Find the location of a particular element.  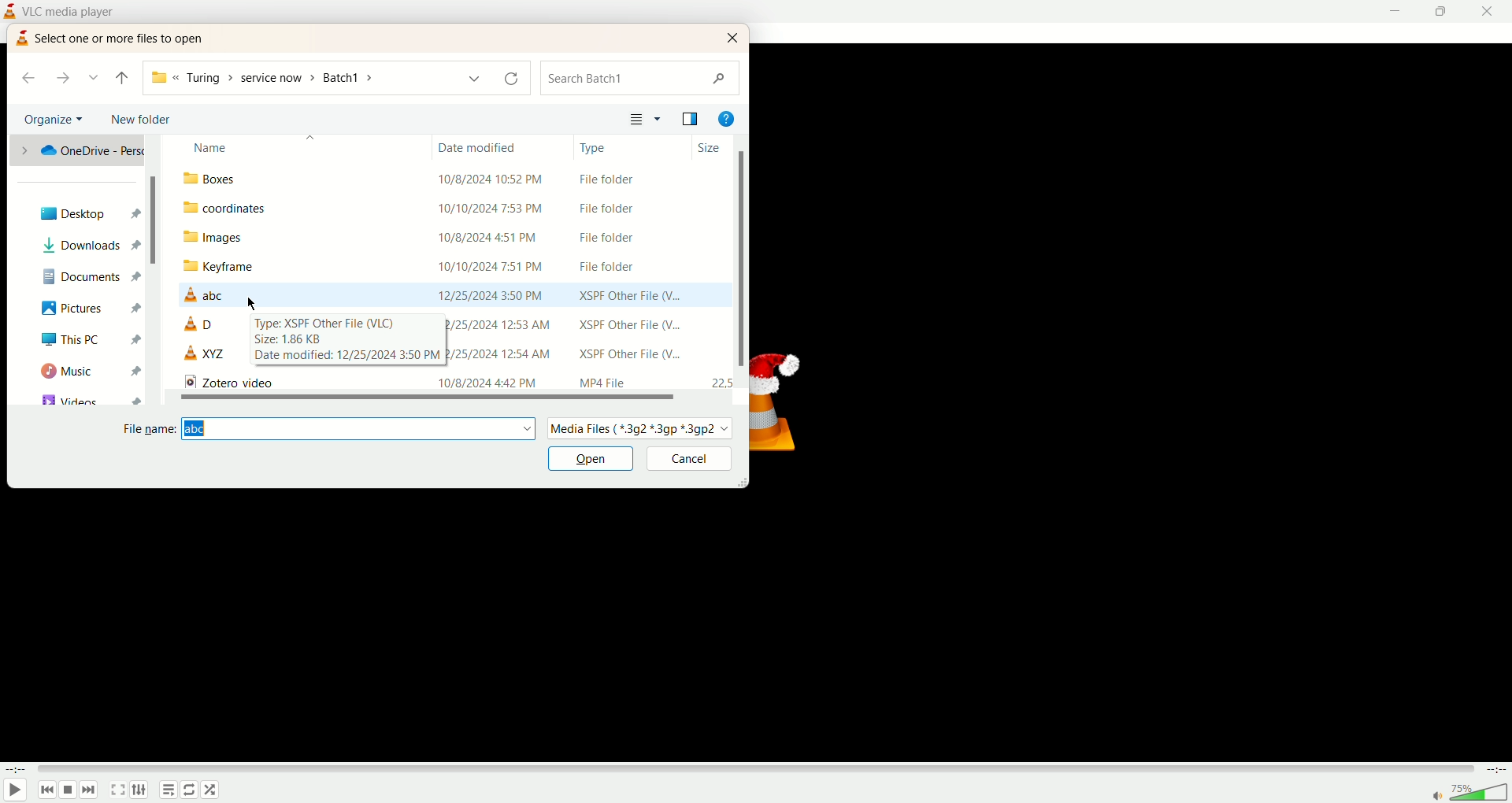

close is located at coordinates (735, 37).